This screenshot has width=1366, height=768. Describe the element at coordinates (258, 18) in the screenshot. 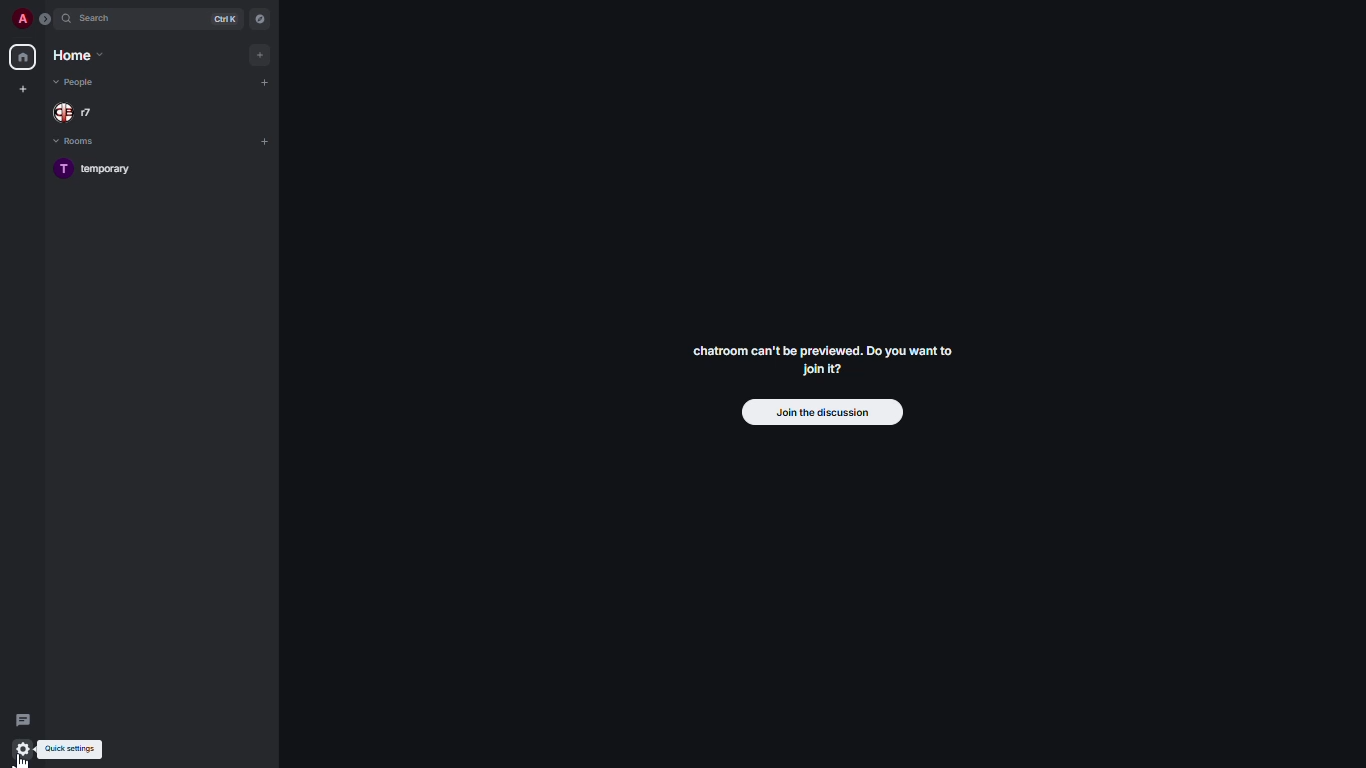

I see `navigator` at that location.